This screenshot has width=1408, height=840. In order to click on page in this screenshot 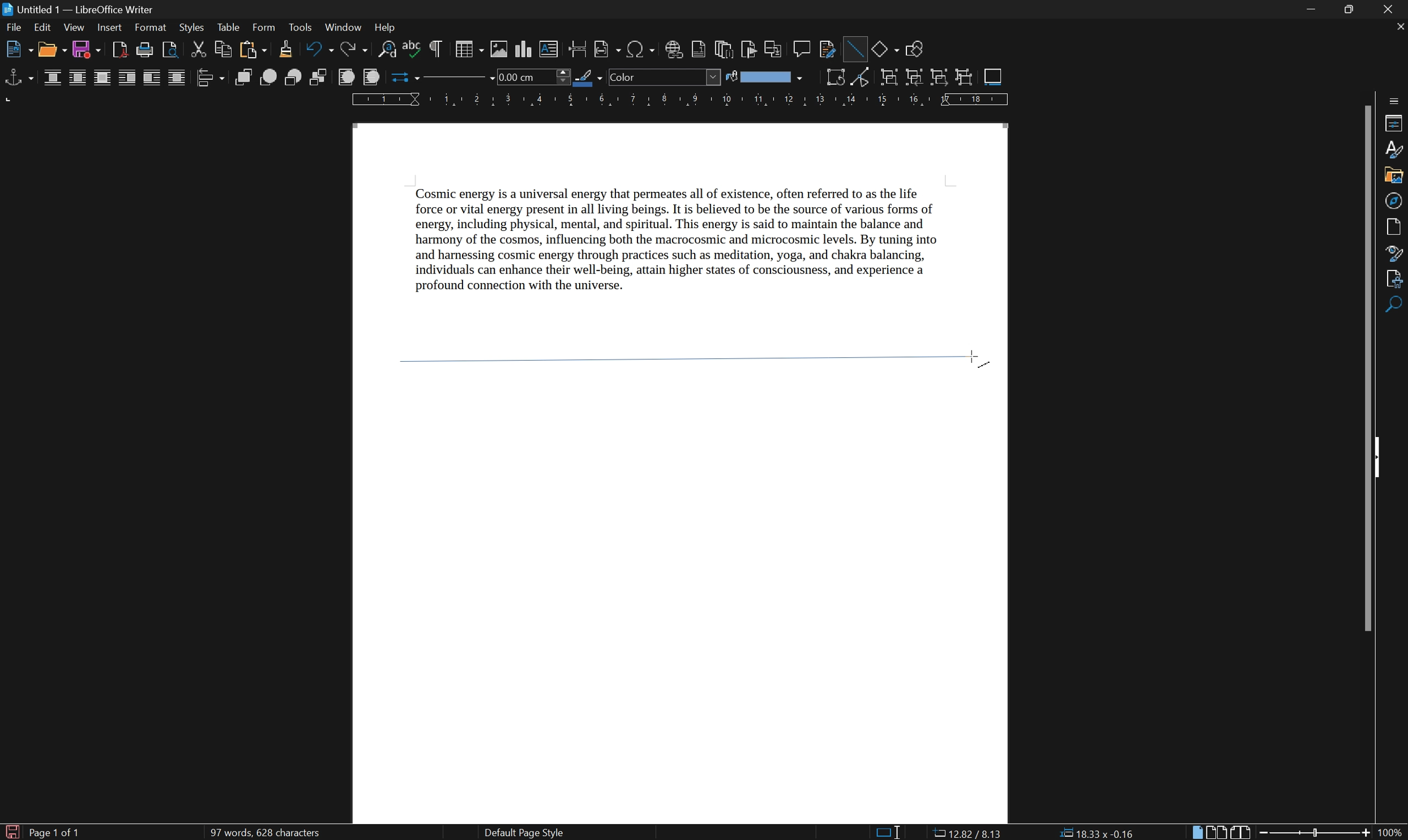, I will do `click(1397, 226)`.